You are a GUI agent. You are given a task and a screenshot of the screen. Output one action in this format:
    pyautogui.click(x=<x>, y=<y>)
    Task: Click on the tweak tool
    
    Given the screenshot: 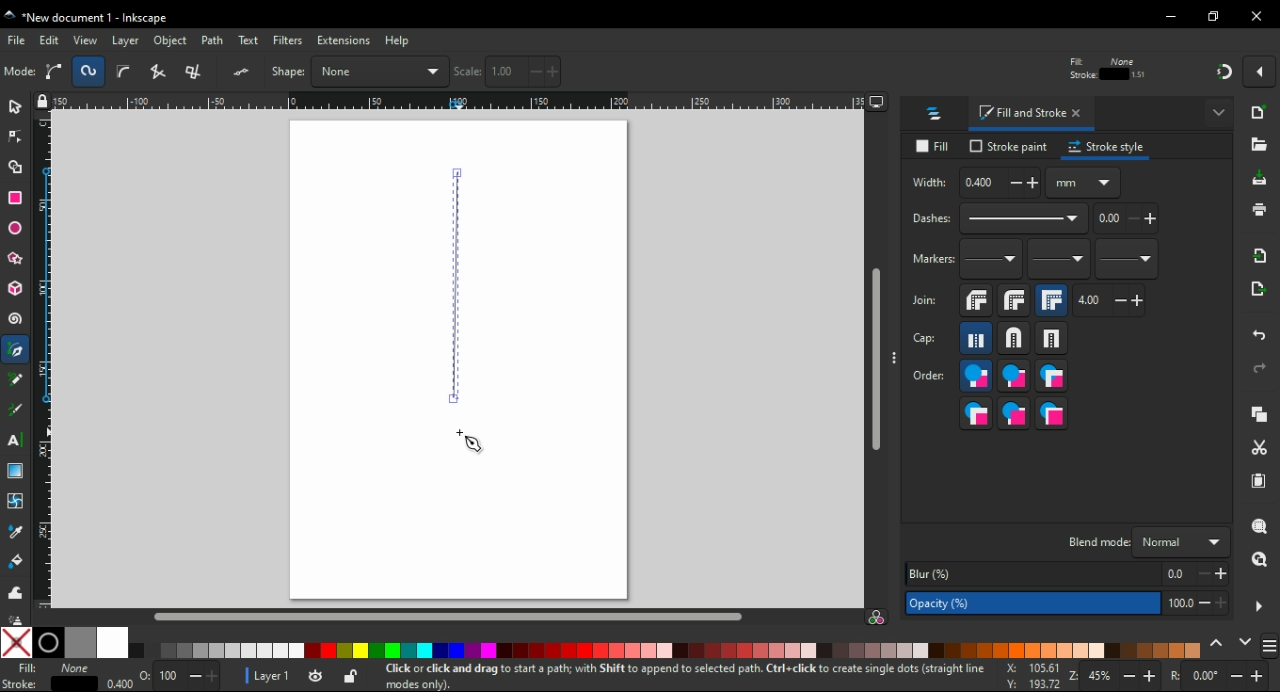 What is the action you would take?
    pyautogui.click(x=15, y=592)
    